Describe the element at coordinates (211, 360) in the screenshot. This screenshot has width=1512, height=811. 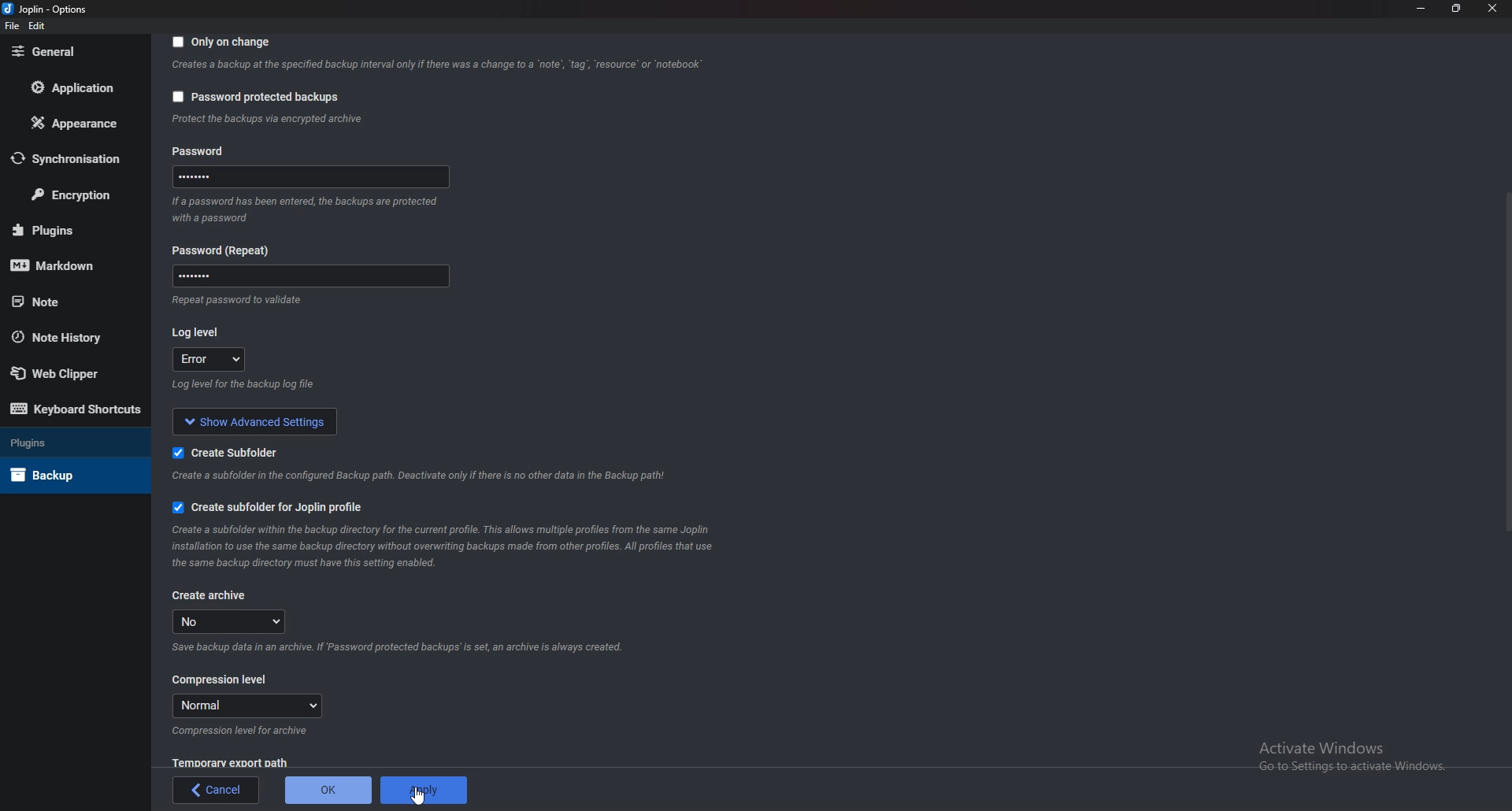
I see `error` at that location.